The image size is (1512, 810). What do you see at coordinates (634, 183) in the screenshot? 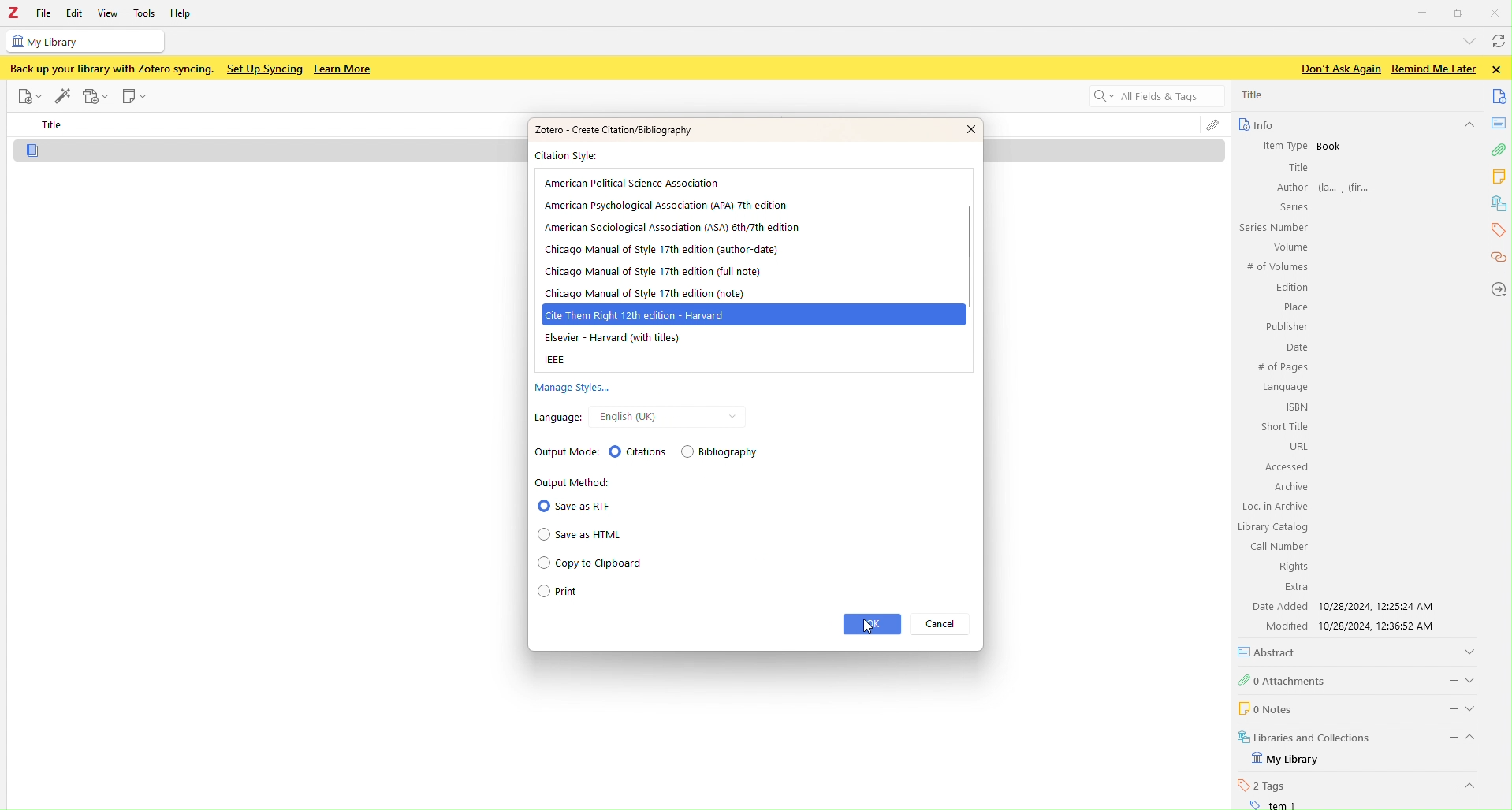
I see `American Political Science Association` at bounding box center [634, 183].